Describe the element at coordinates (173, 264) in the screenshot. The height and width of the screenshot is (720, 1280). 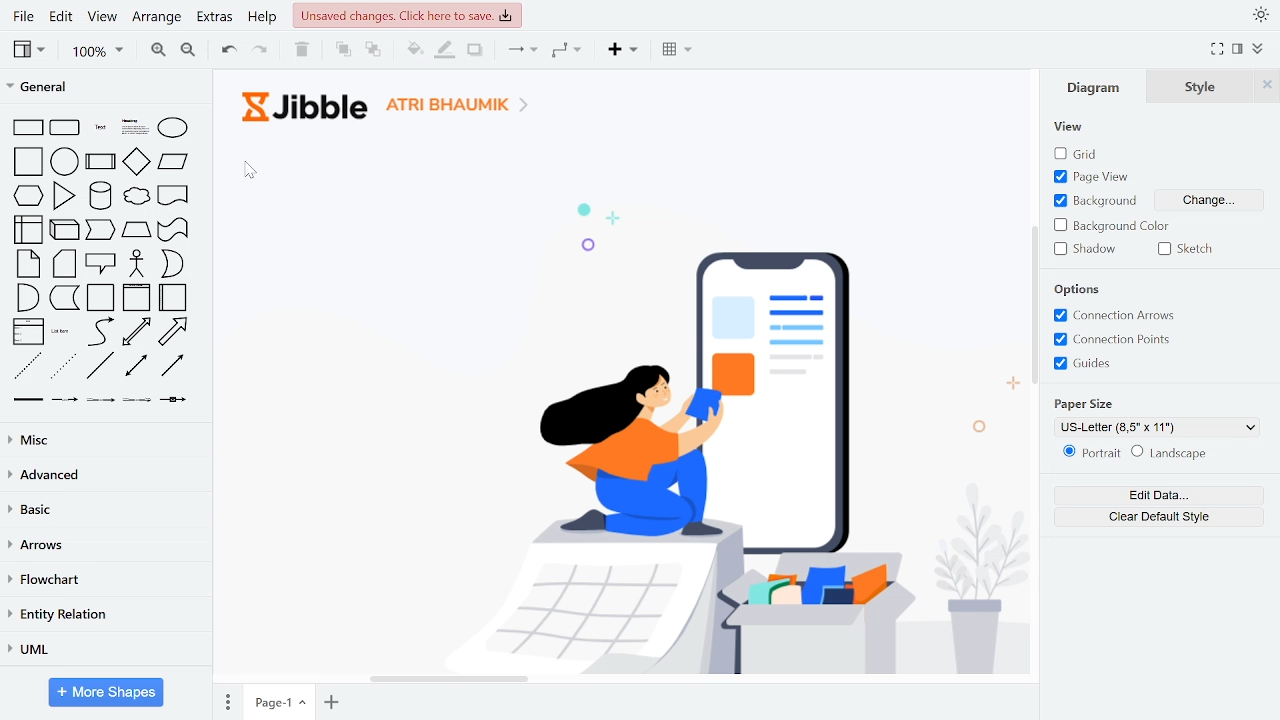
I see `general shapes` at that location.